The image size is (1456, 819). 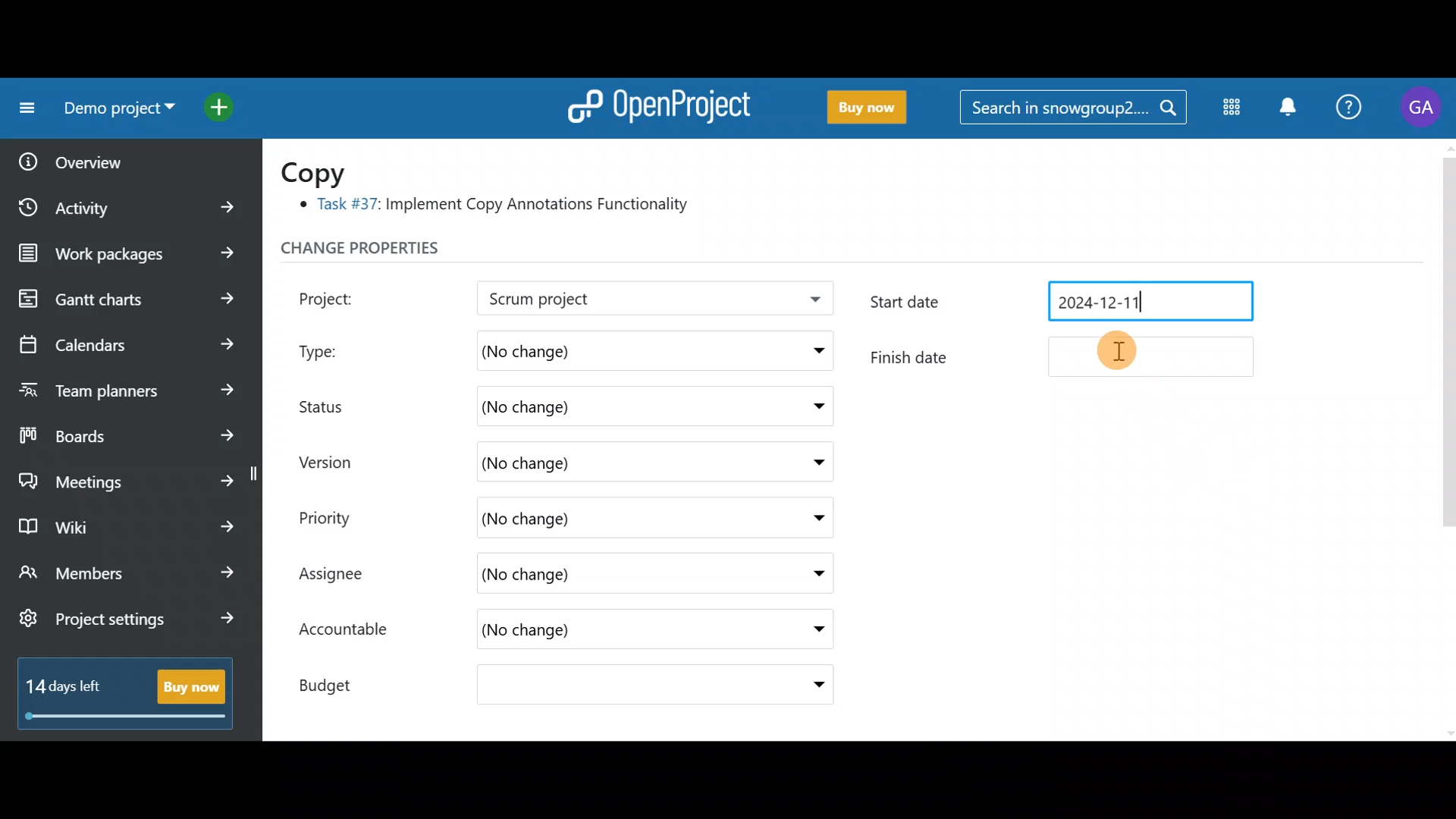 I want to click on Notification centre, so click(x=1287, y=108).